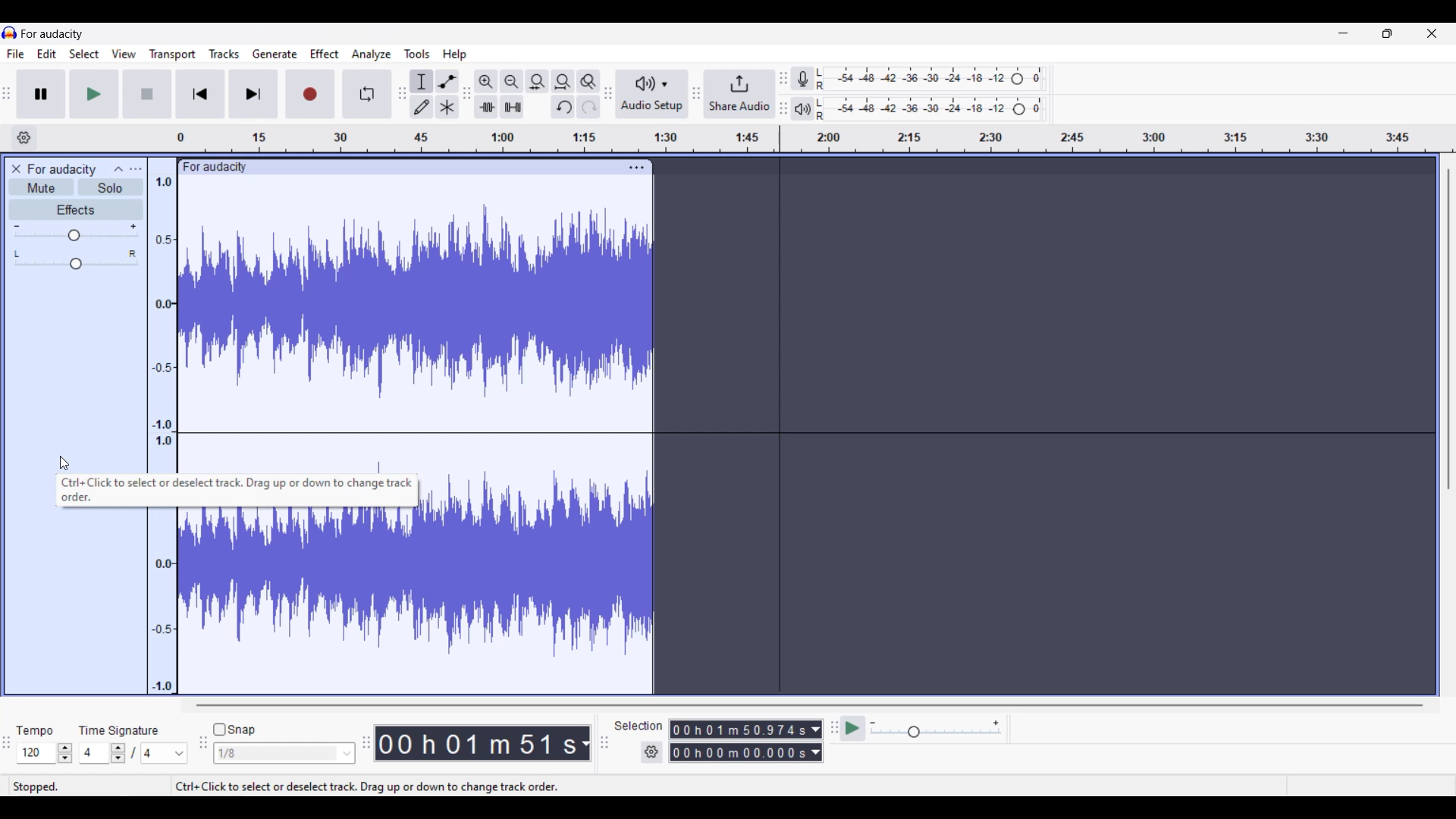 The image size is (1456, 819). I want to click on Volume slider, so click(76, 232).